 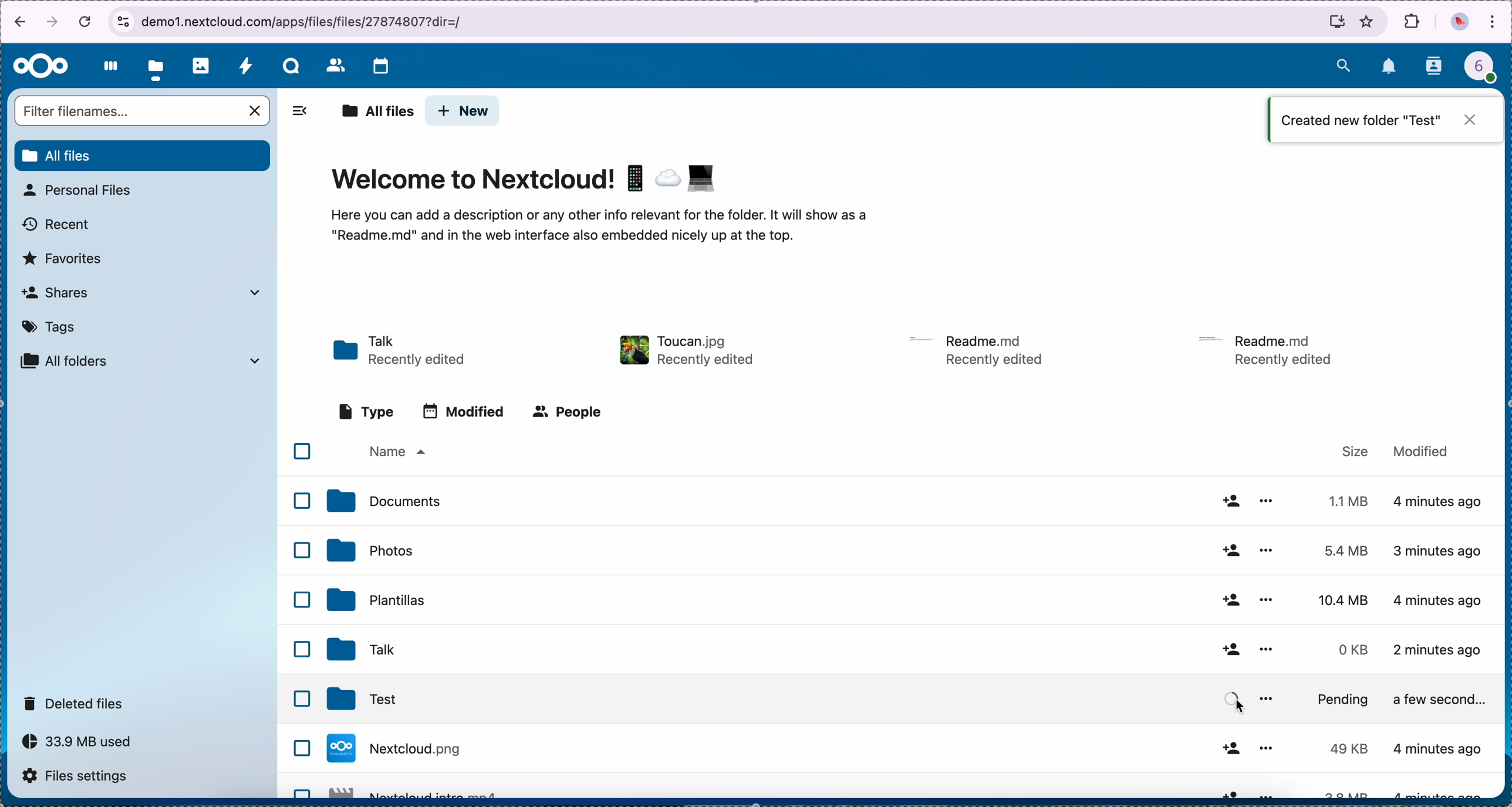 What do you see at coordinates (83, 745) in the screenshot?
I see `capacity` at bounding box center [83, 745].